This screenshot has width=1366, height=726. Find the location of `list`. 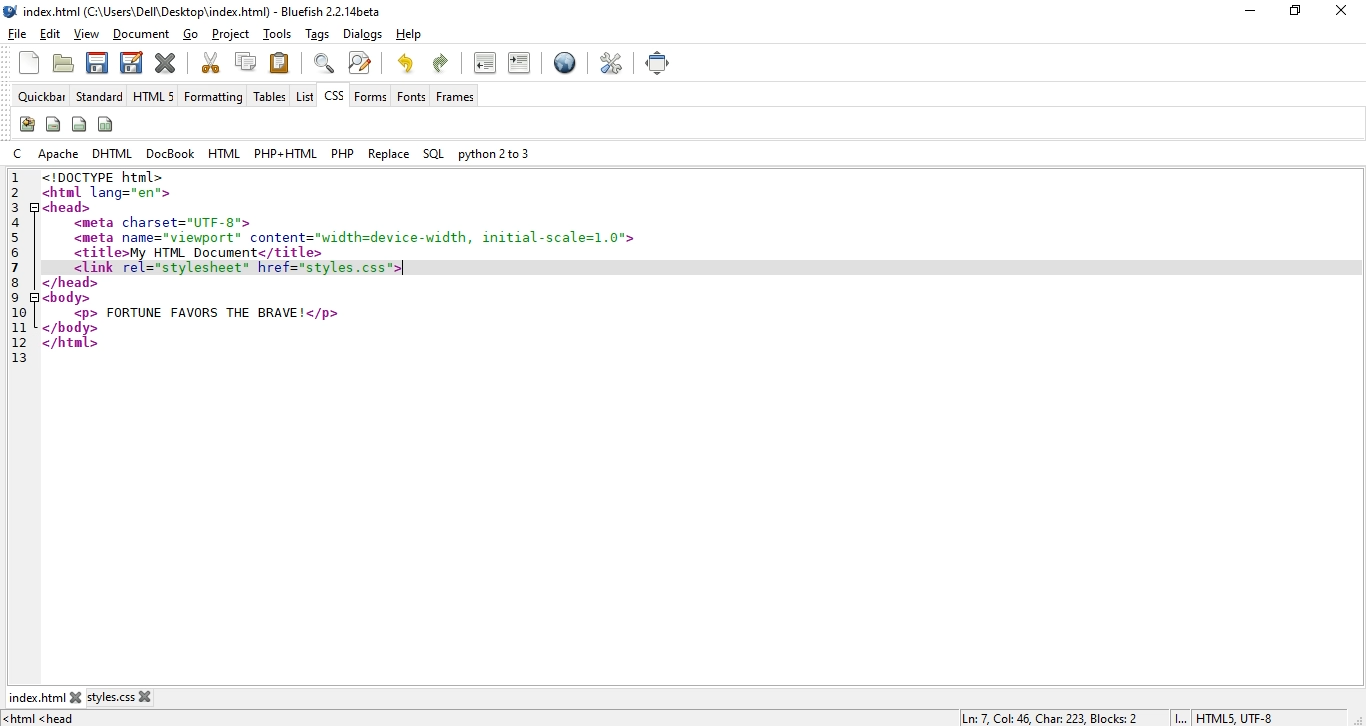

list is located at coordinates (304, 96).